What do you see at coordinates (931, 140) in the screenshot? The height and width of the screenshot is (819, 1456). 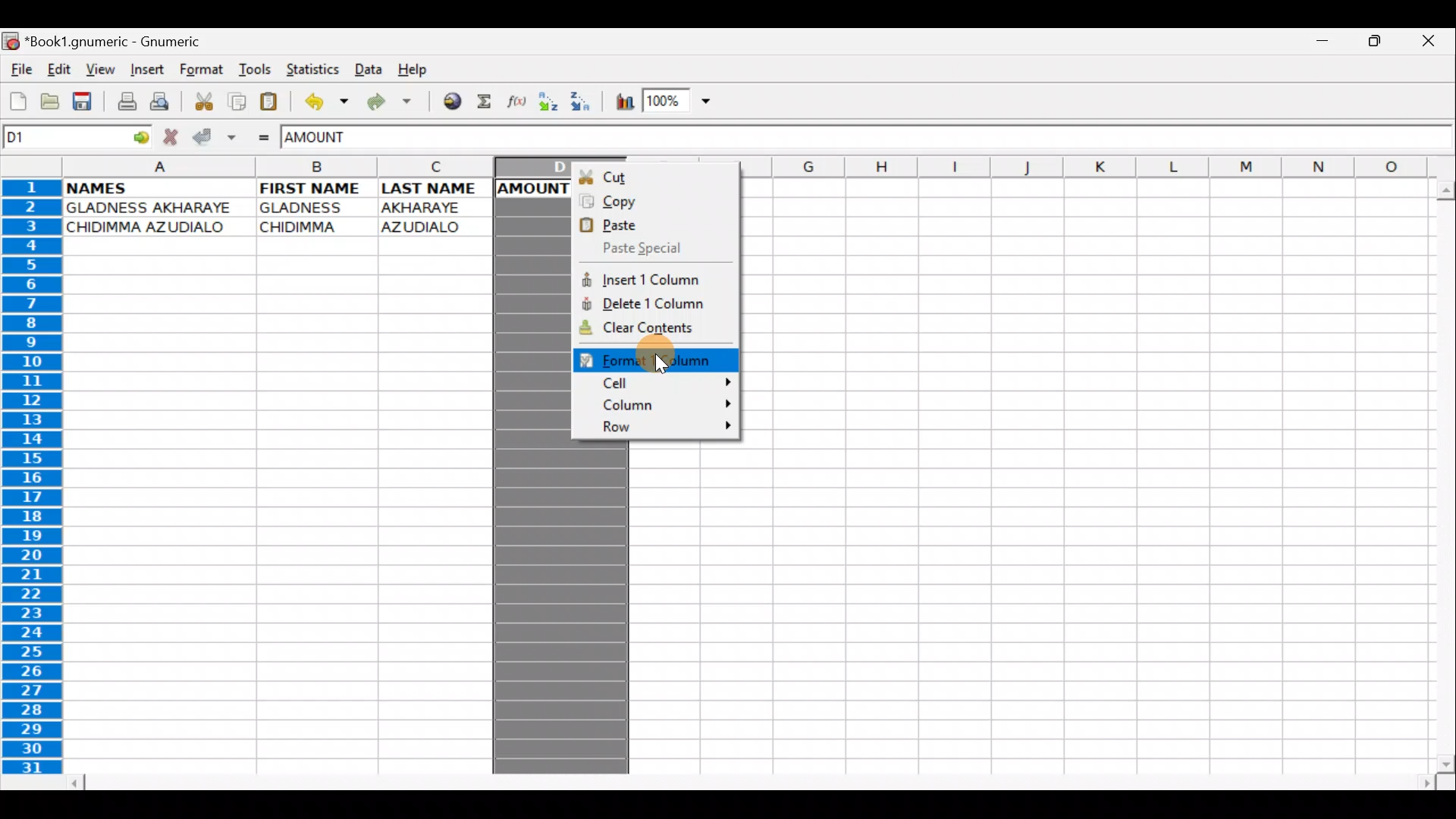 I see `Formula bar` at bounding box center [931, 140].